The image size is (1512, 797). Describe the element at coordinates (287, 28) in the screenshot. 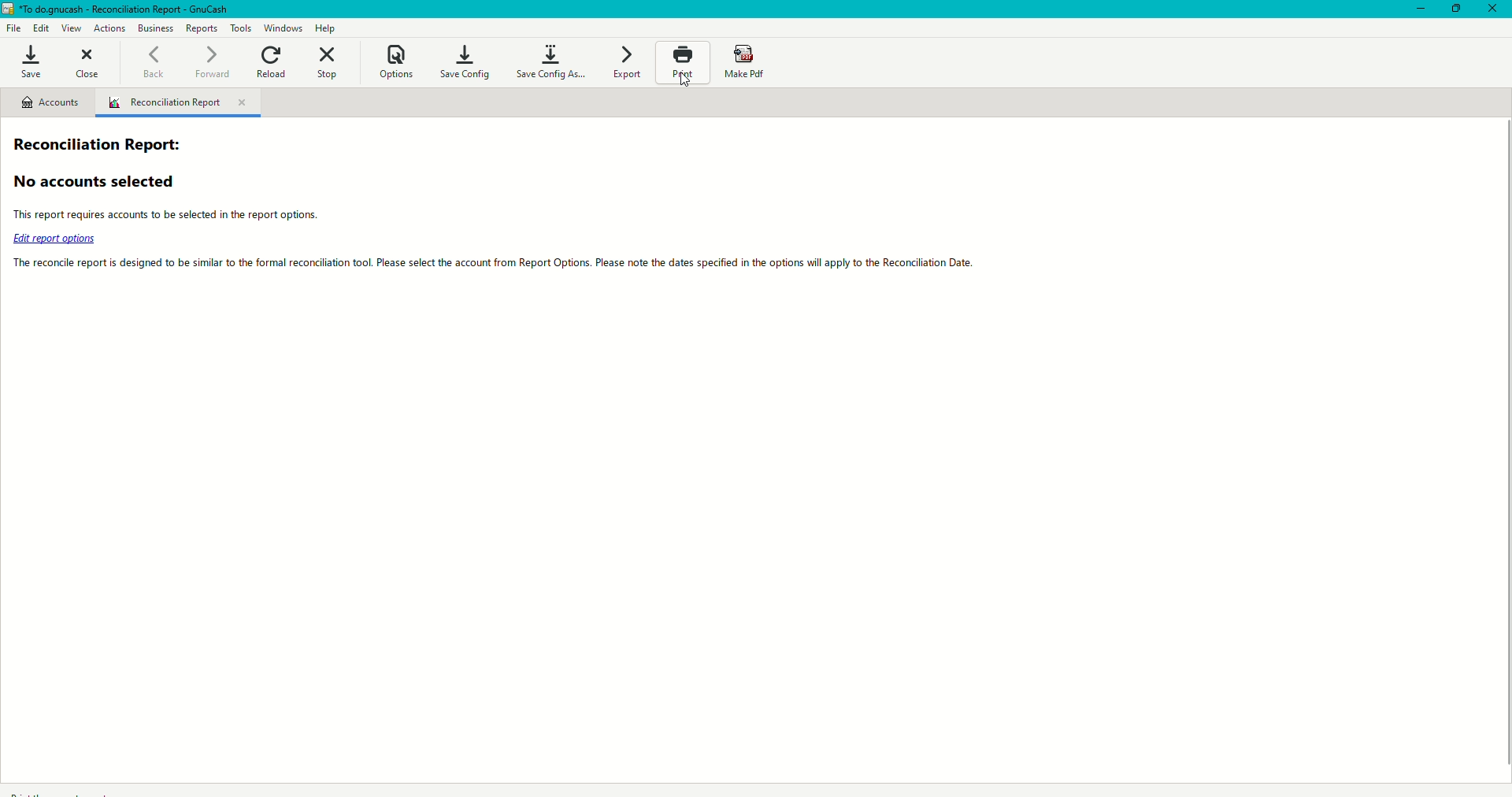

I see `Windows` at that location.